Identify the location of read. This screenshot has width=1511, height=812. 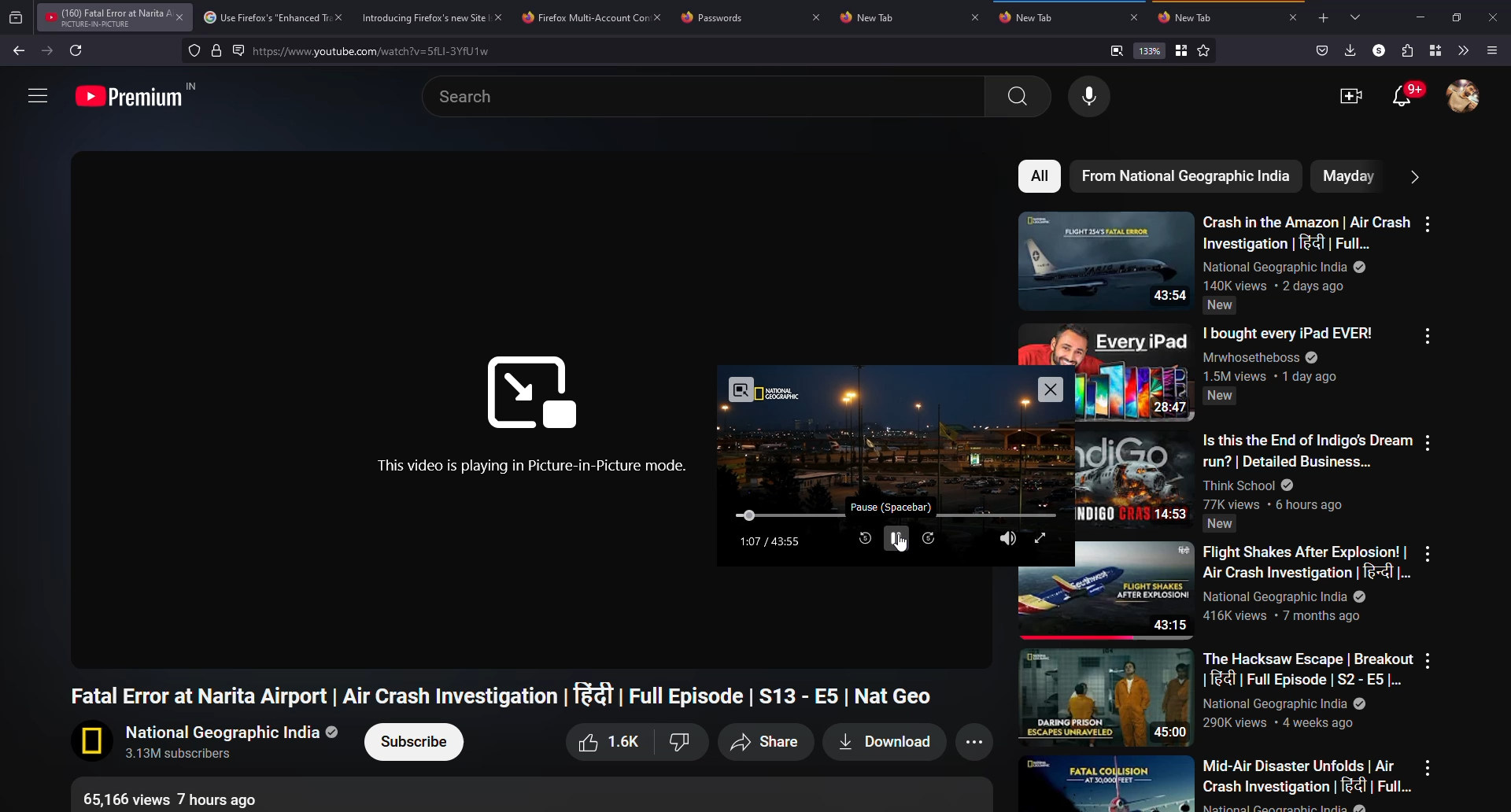
(238, 50).